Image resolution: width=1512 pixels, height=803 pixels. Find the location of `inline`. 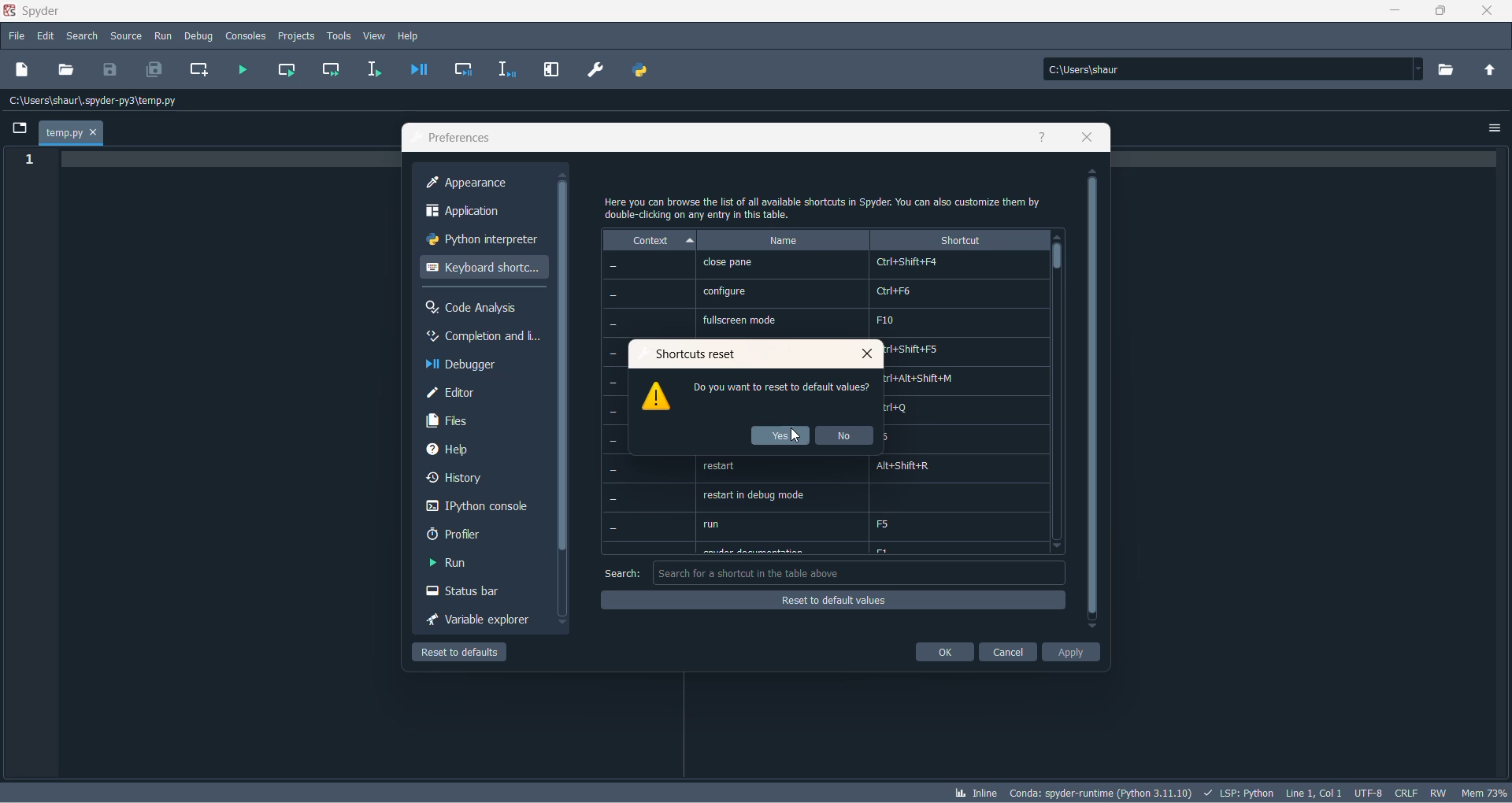

inline is located at coordinates (974, 792).